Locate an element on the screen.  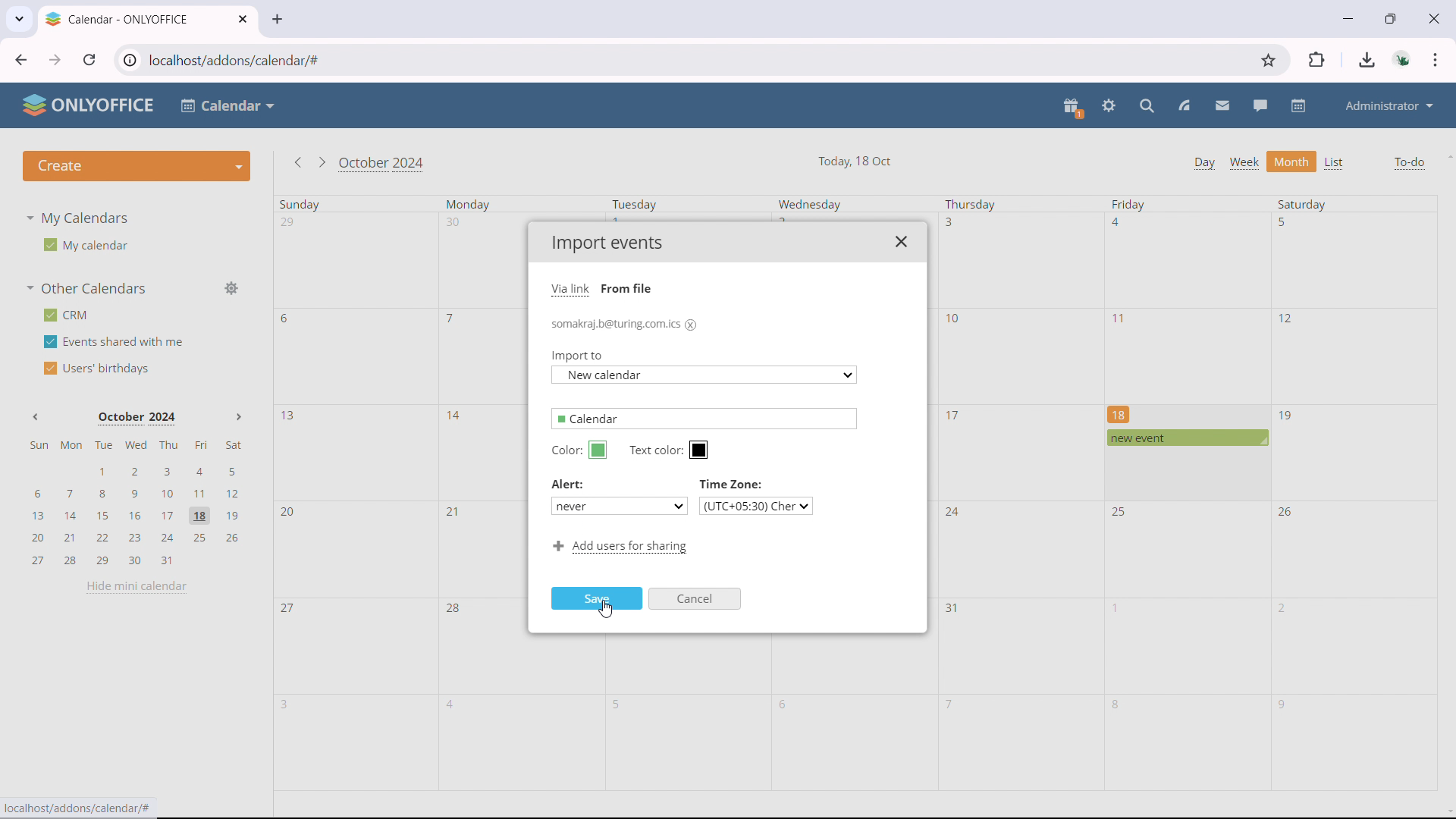
21 is located at coordinates (450, 510).